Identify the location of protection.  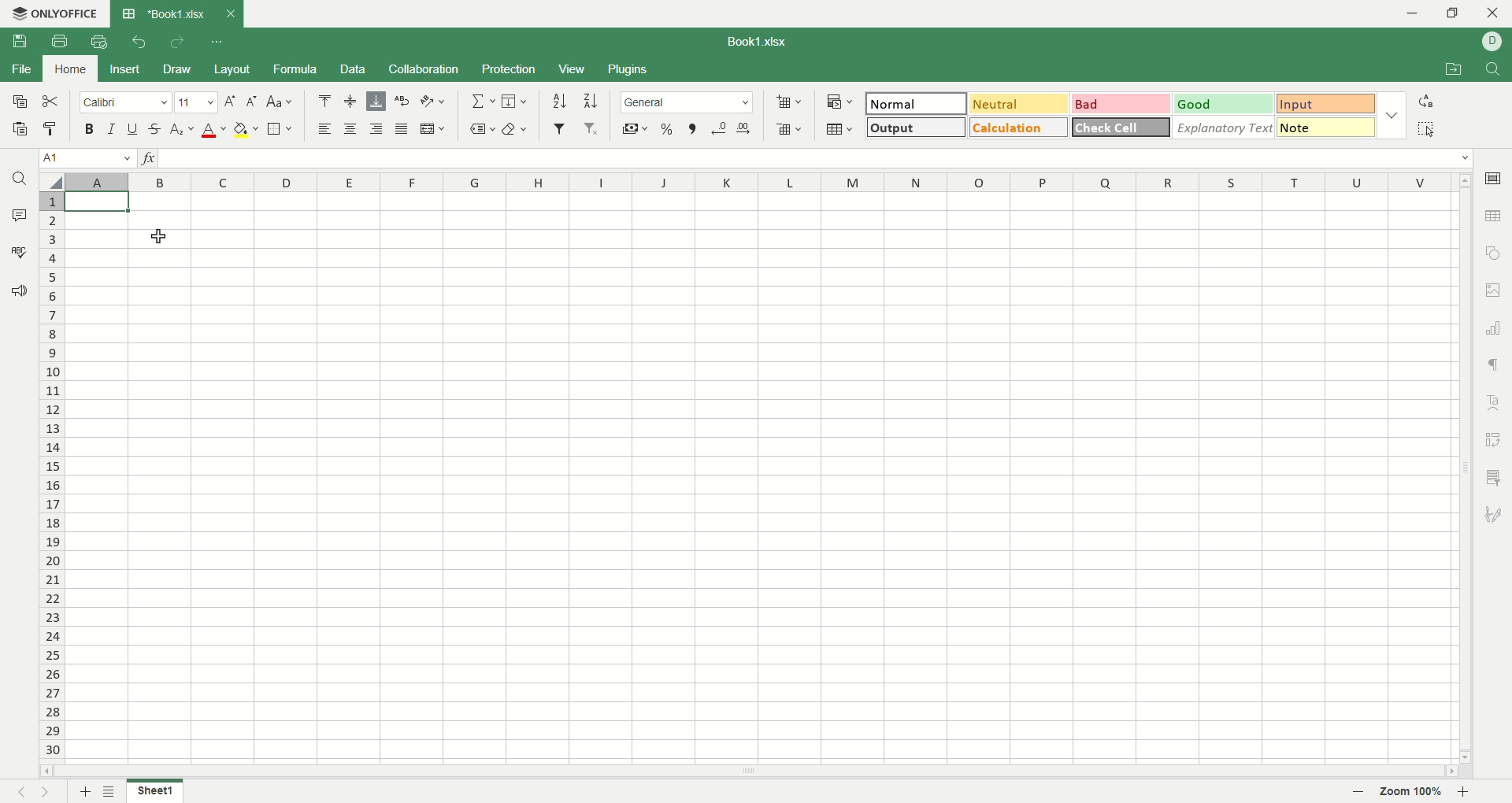
(512, 68).